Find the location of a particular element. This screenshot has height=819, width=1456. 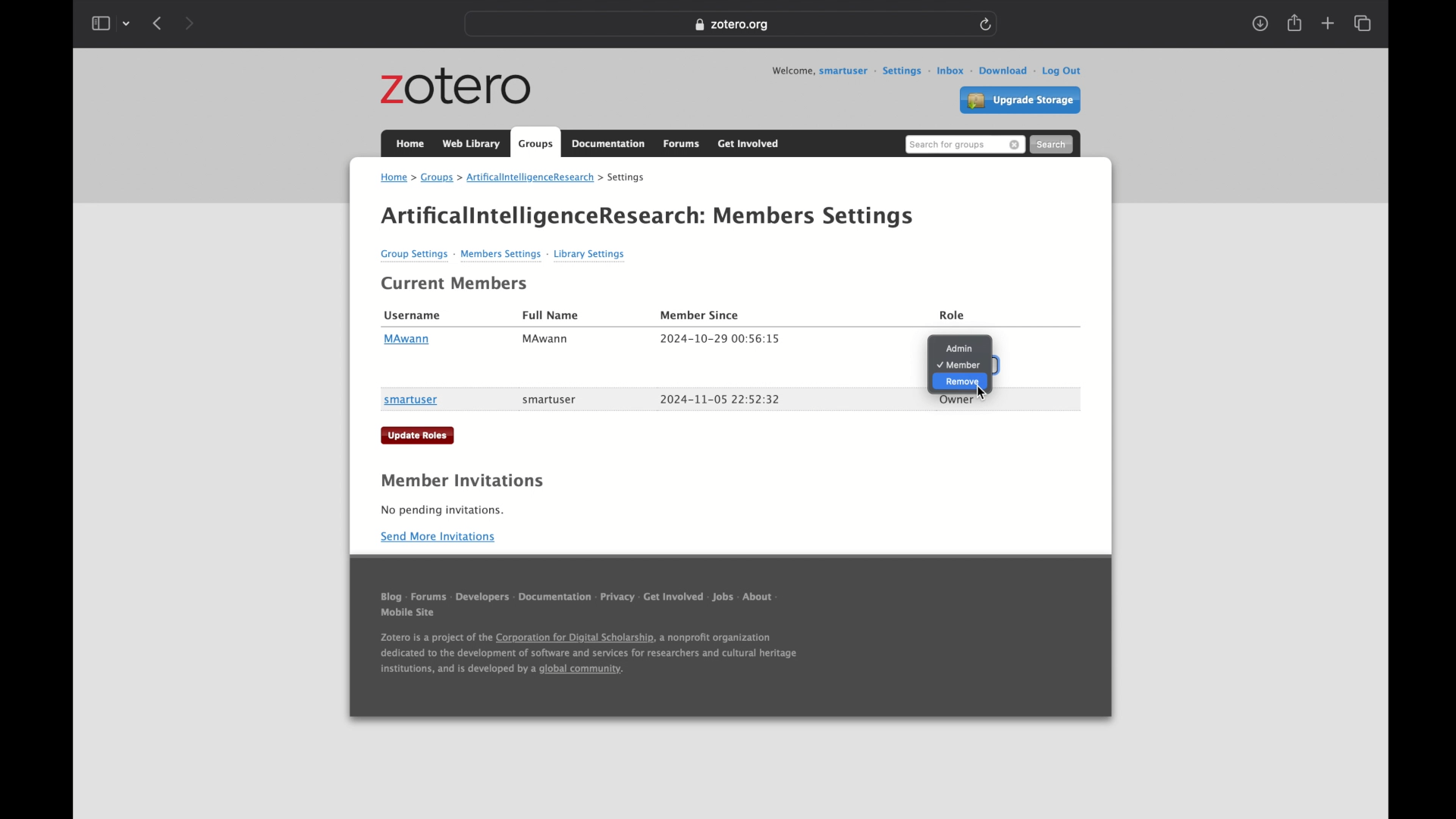

current members is located at coordinates (455, 284).